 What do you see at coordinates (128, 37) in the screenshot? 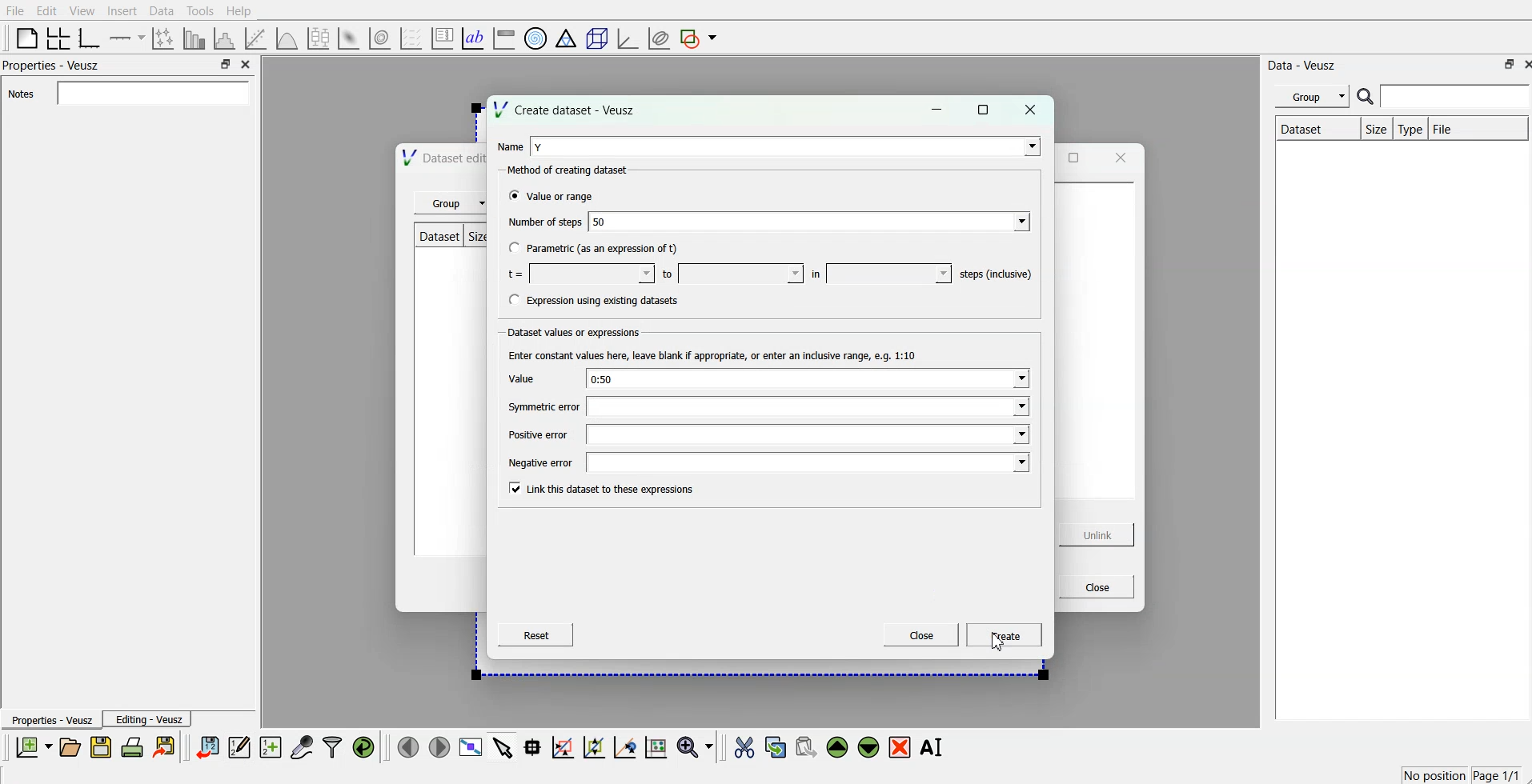
I see `Add an axis` at bounding box center [128, 37].